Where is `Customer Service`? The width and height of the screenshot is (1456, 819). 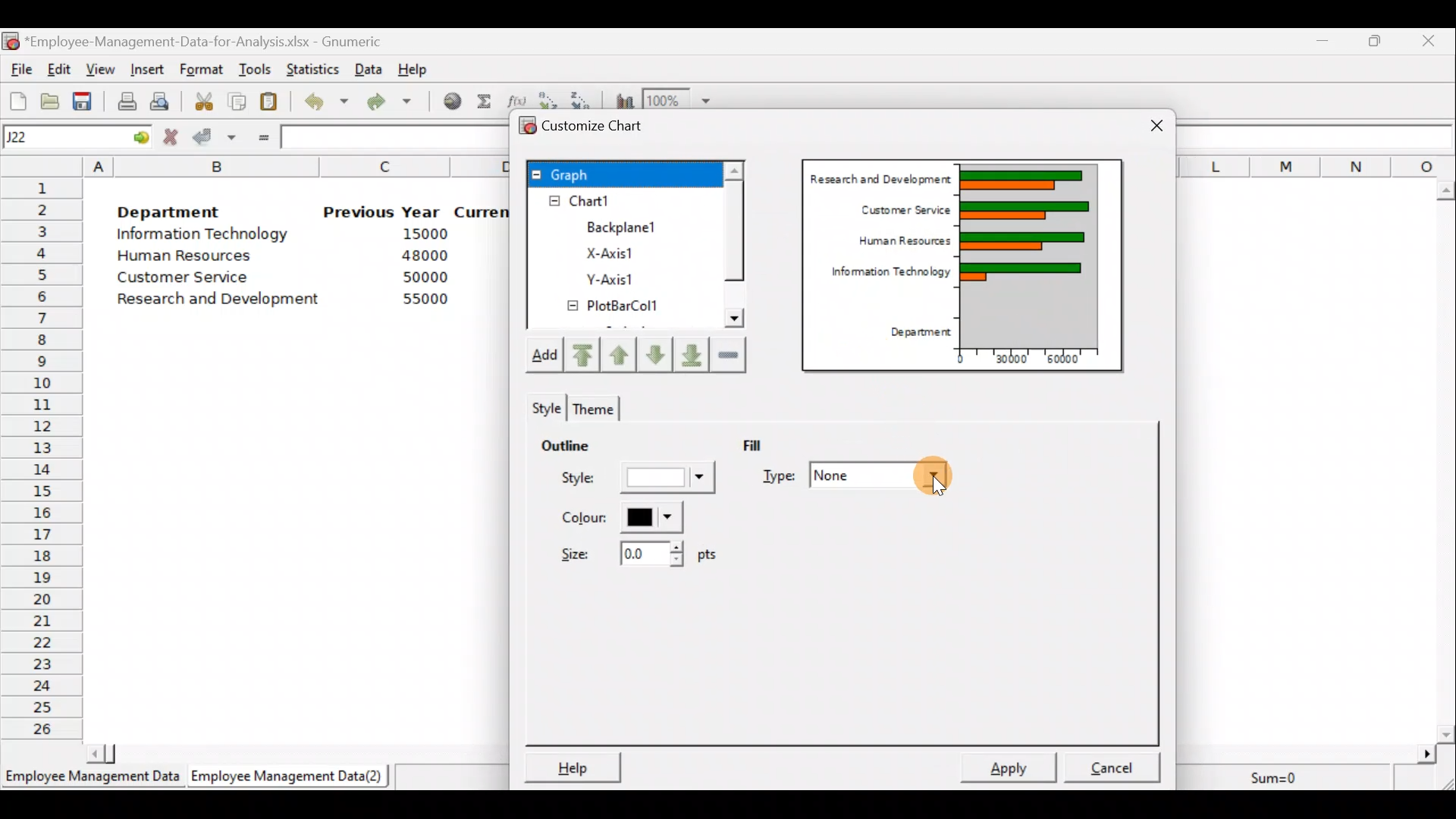
Customer Service is located at coordinates (898, 212).